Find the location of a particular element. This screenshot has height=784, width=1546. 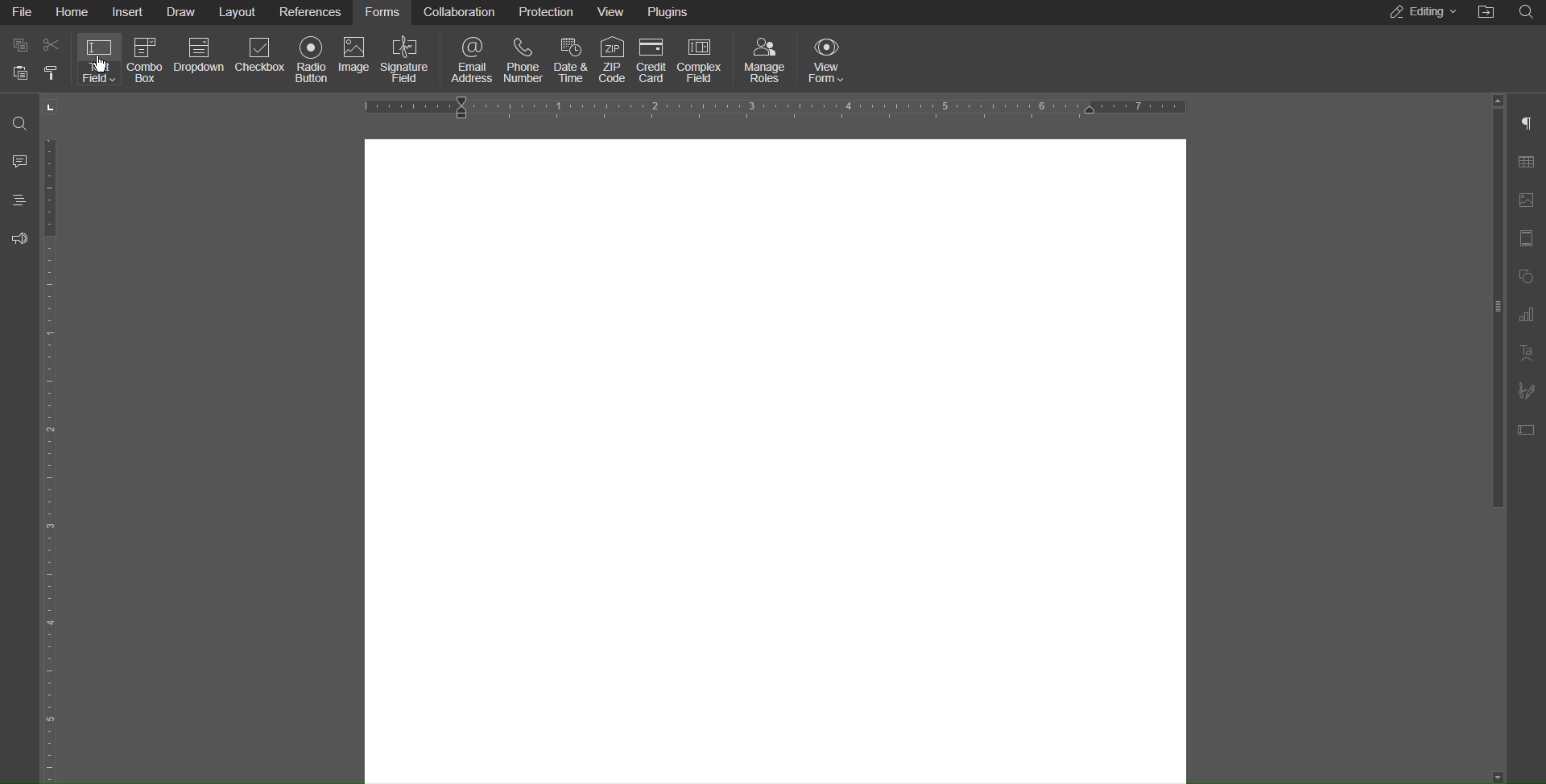

Header/Footer Settings is located at coordinates (1530, 239).